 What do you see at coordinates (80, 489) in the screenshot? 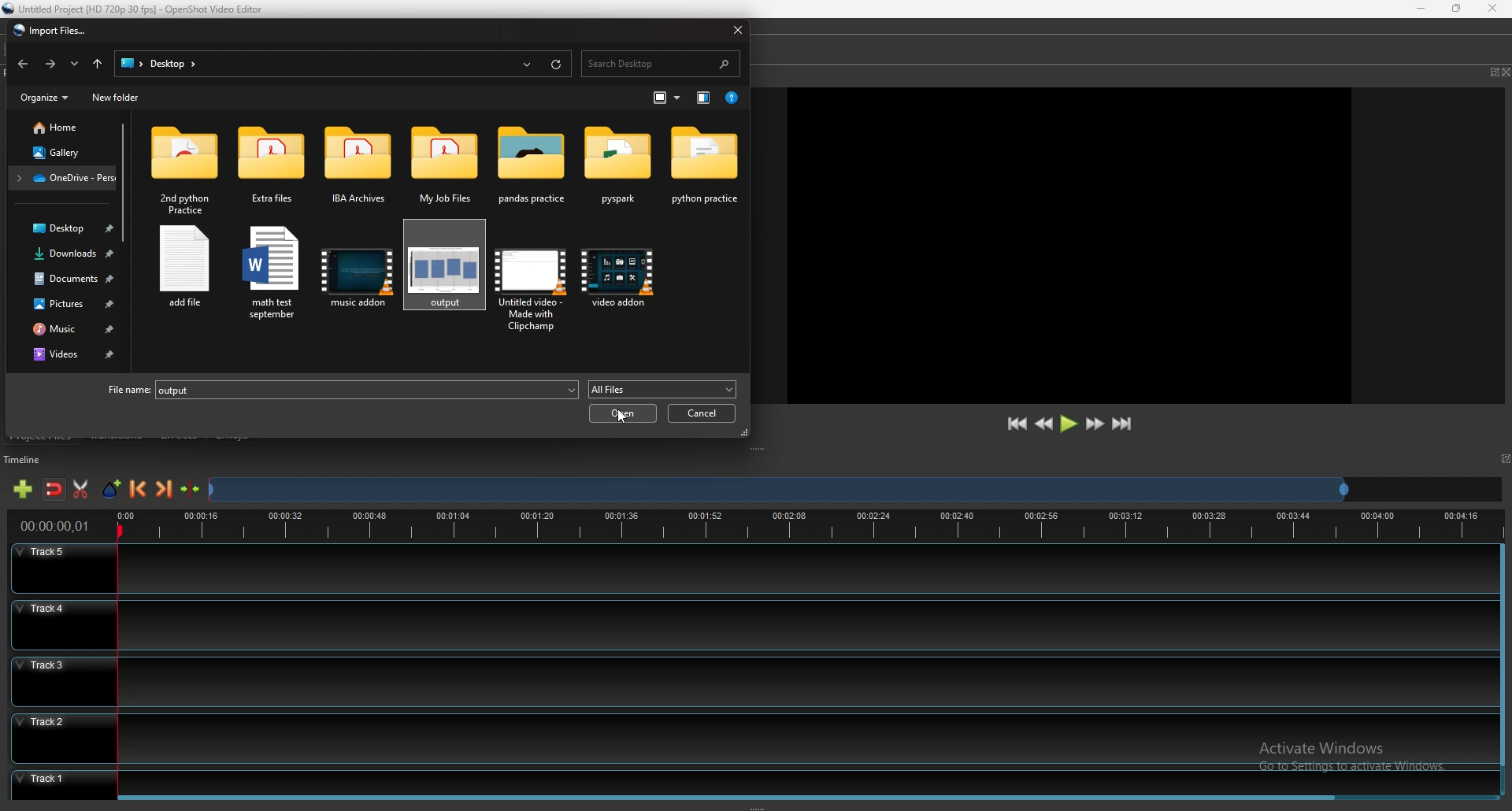
I see `enable razor` at bounding box center [80, 489].